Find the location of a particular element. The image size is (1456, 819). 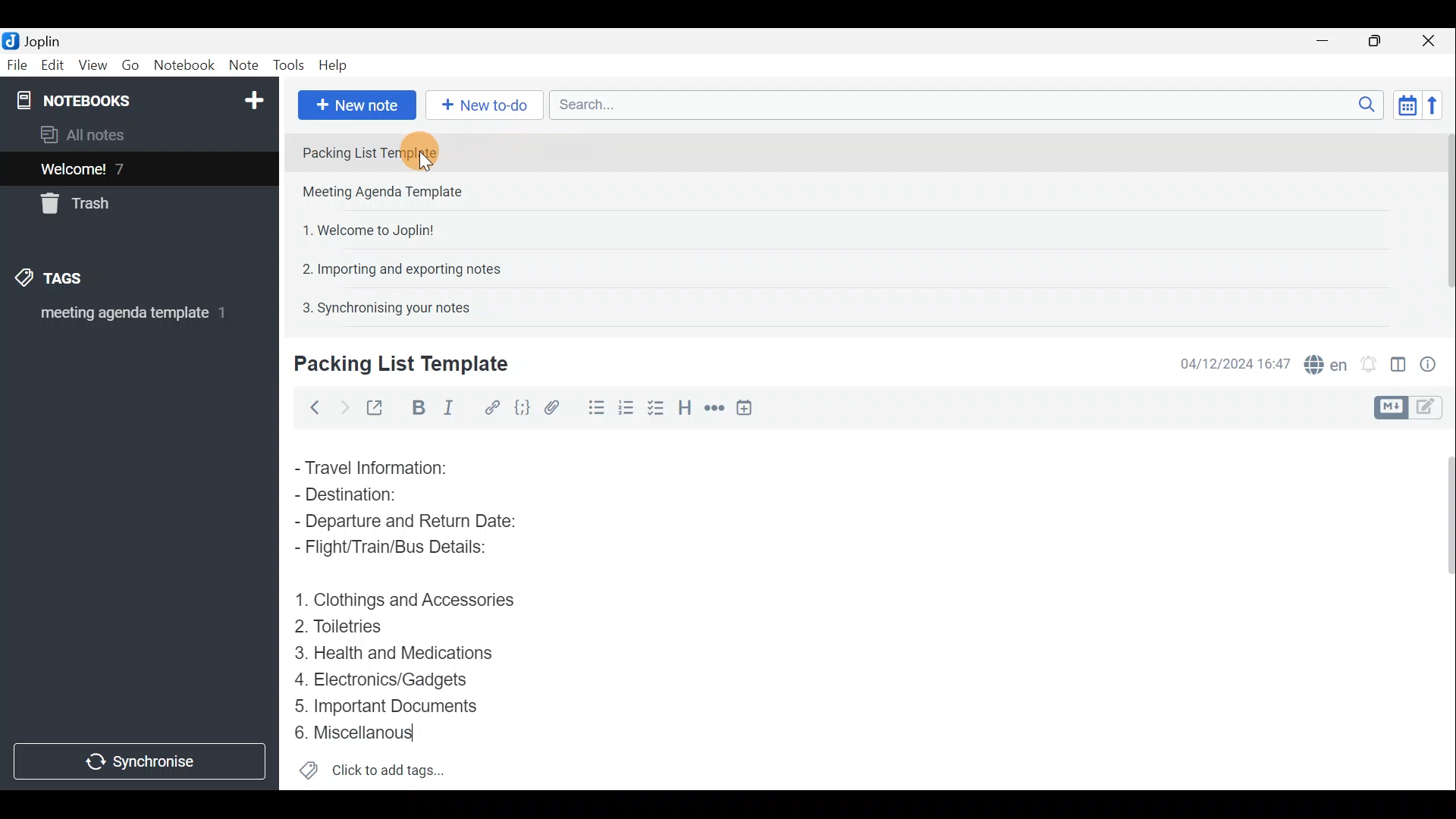

meeting agenda template is located at coordinates (130, 318).